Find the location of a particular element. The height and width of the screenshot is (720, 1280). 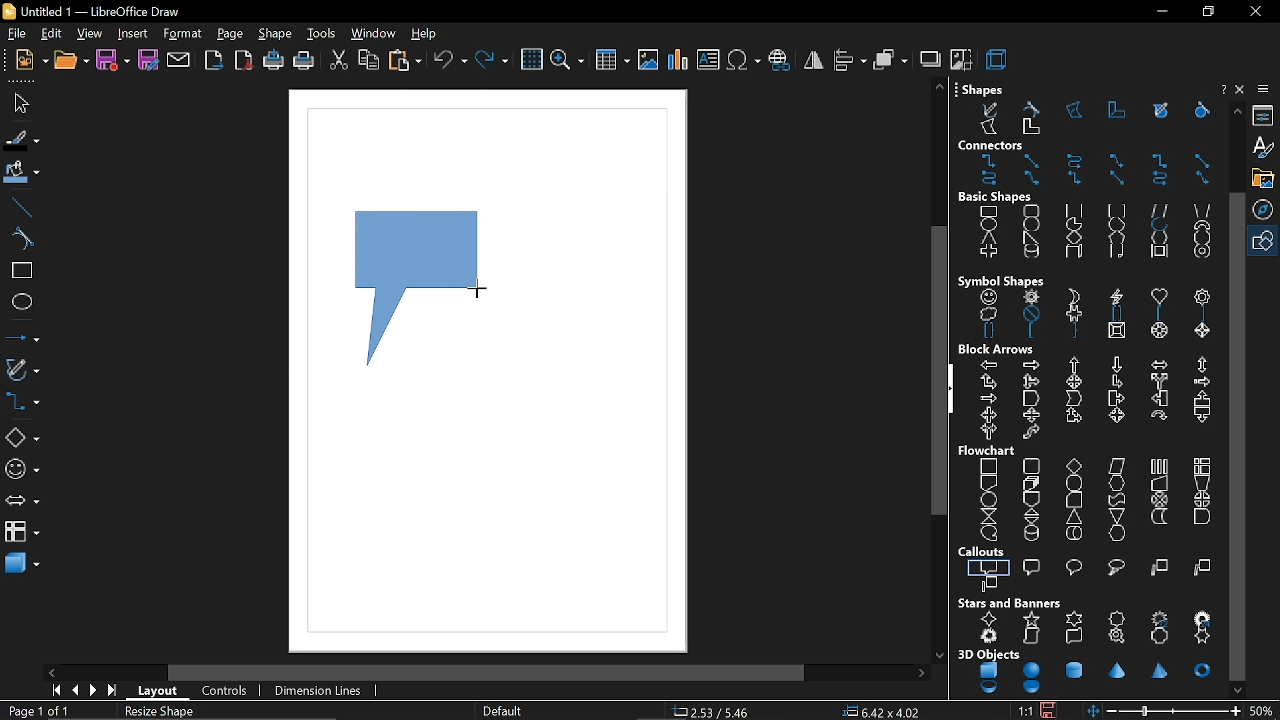

polygon filled is located at coordinates (989, 128).